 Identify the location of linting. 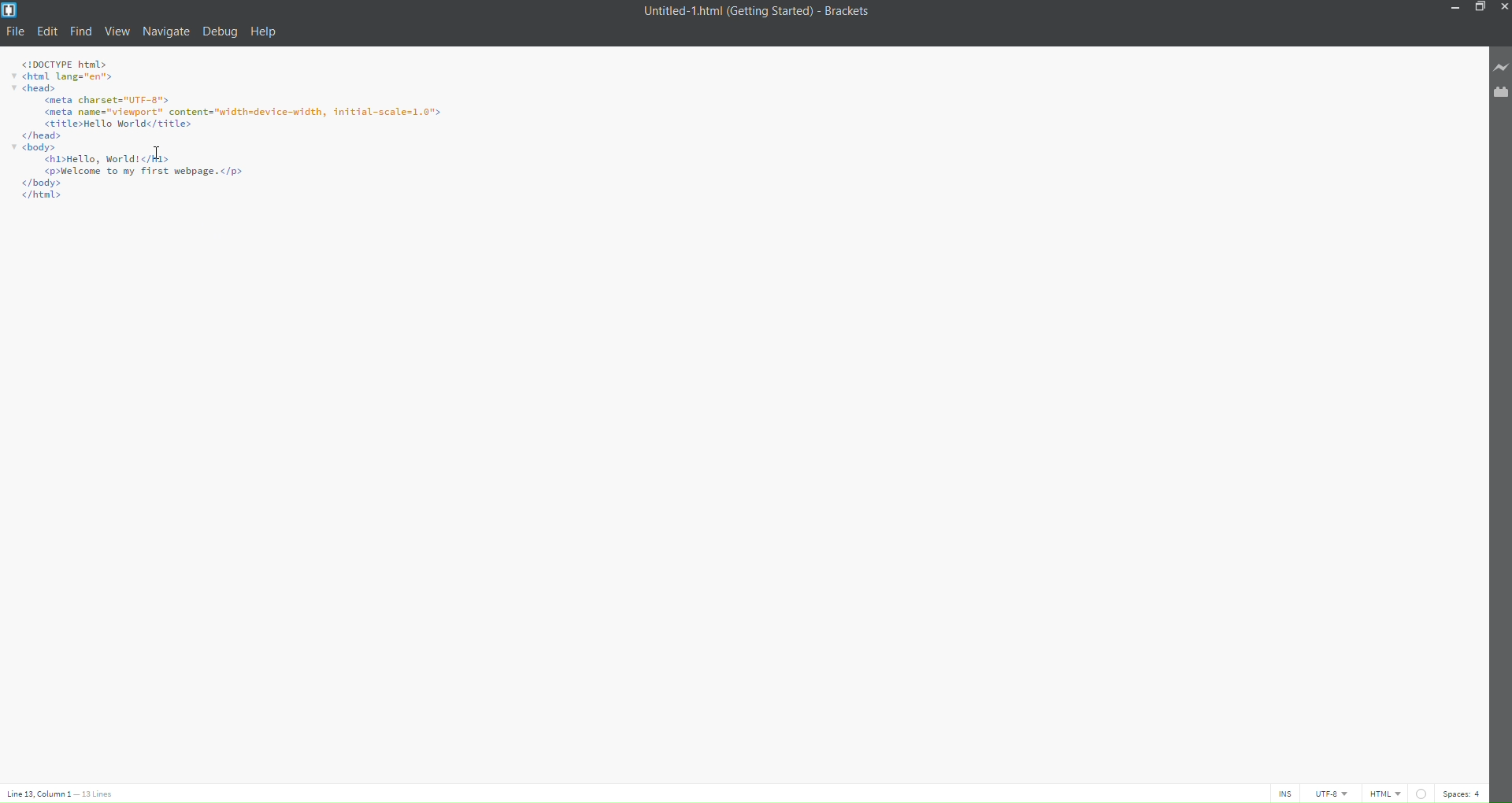
(1419, 791).